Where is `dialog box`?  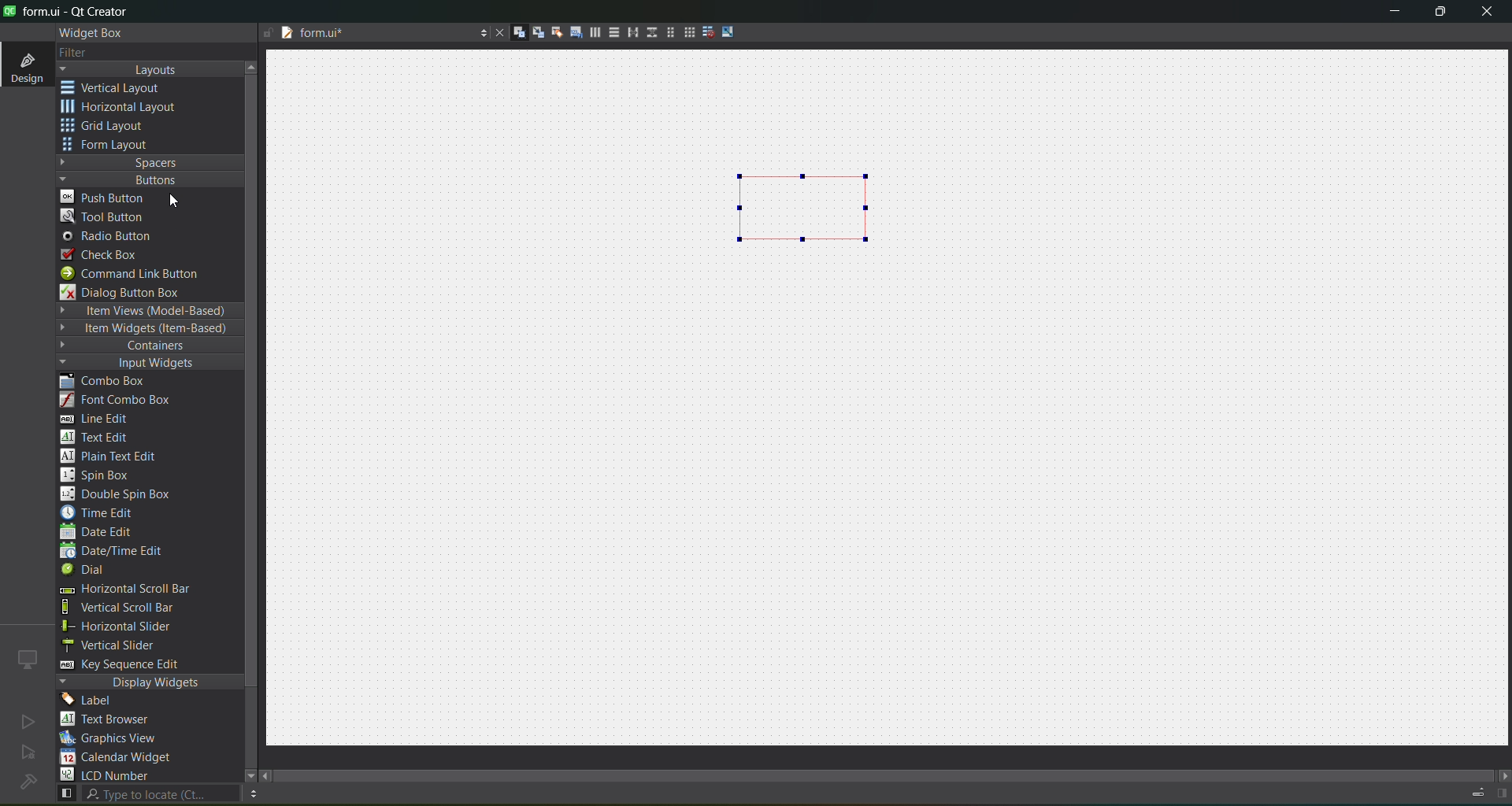
dialog box is located at coordinates (132, 292).